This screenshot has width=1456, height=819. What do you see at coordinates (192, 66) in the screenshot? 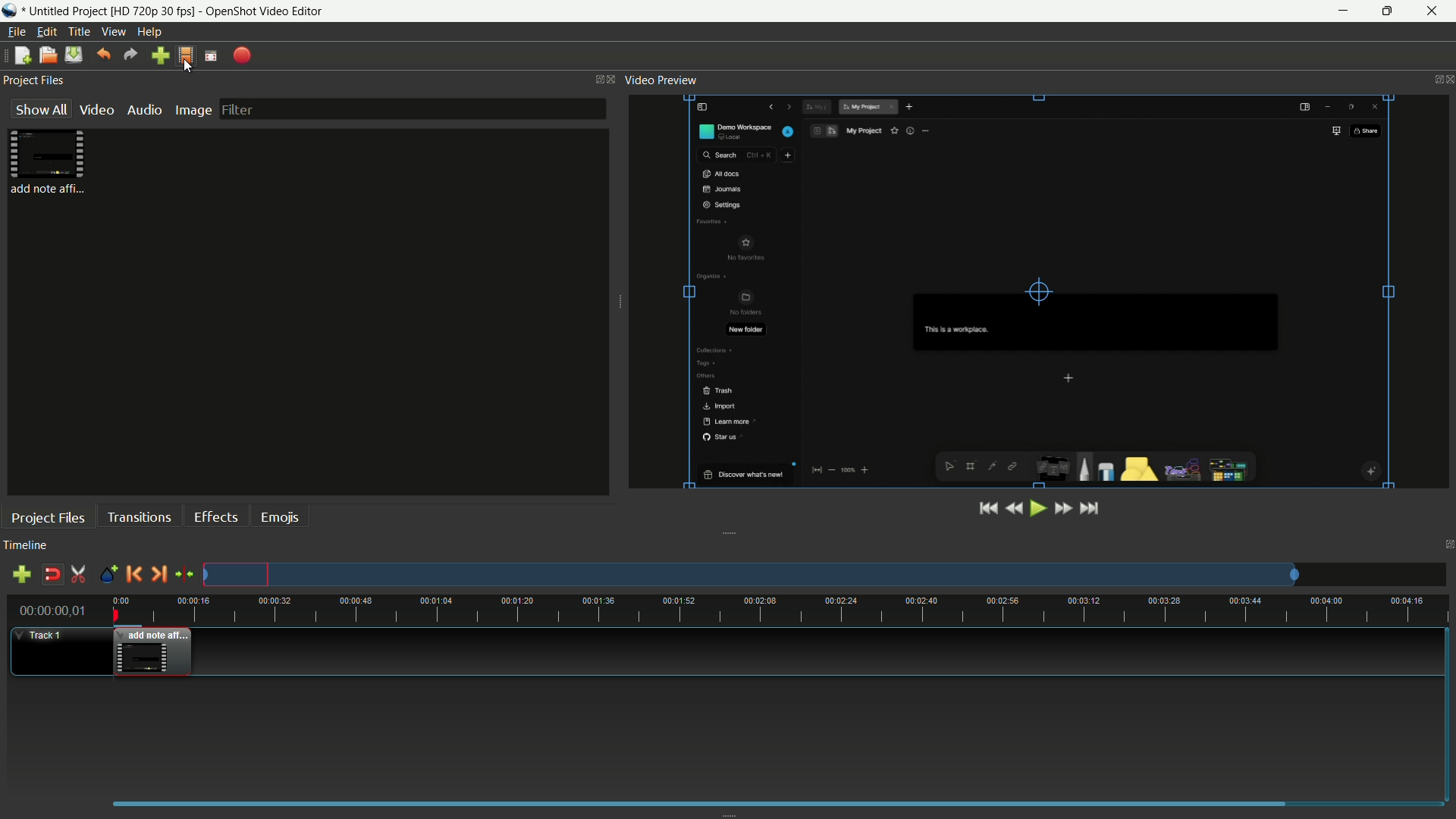
I see `Cursor` at bounding box center [192, 66].